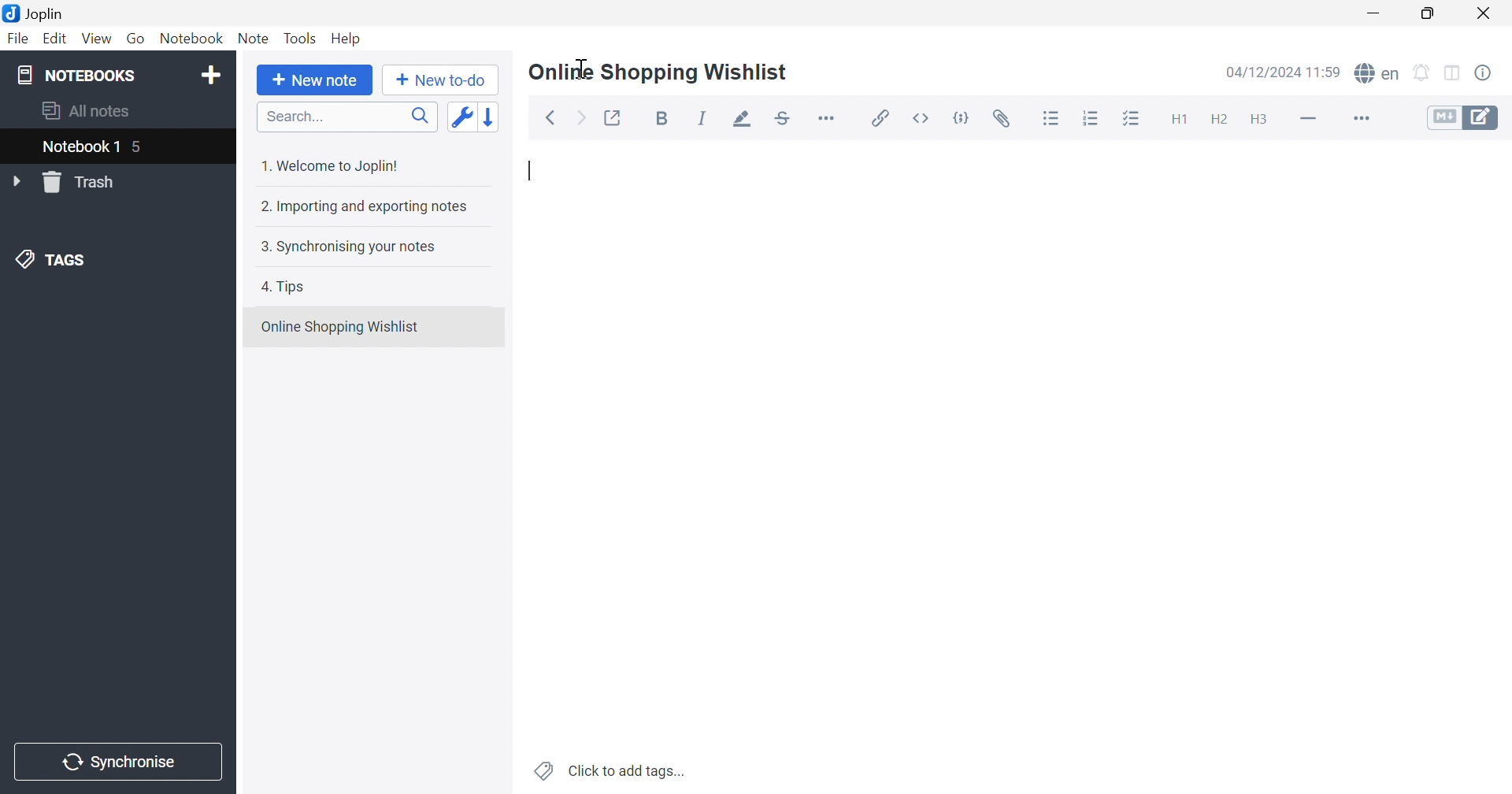 This screenshot has height=794, width=1512. Describe the element at coordinates (55, 259) in the screenshot. I see `TAGS` at that location.